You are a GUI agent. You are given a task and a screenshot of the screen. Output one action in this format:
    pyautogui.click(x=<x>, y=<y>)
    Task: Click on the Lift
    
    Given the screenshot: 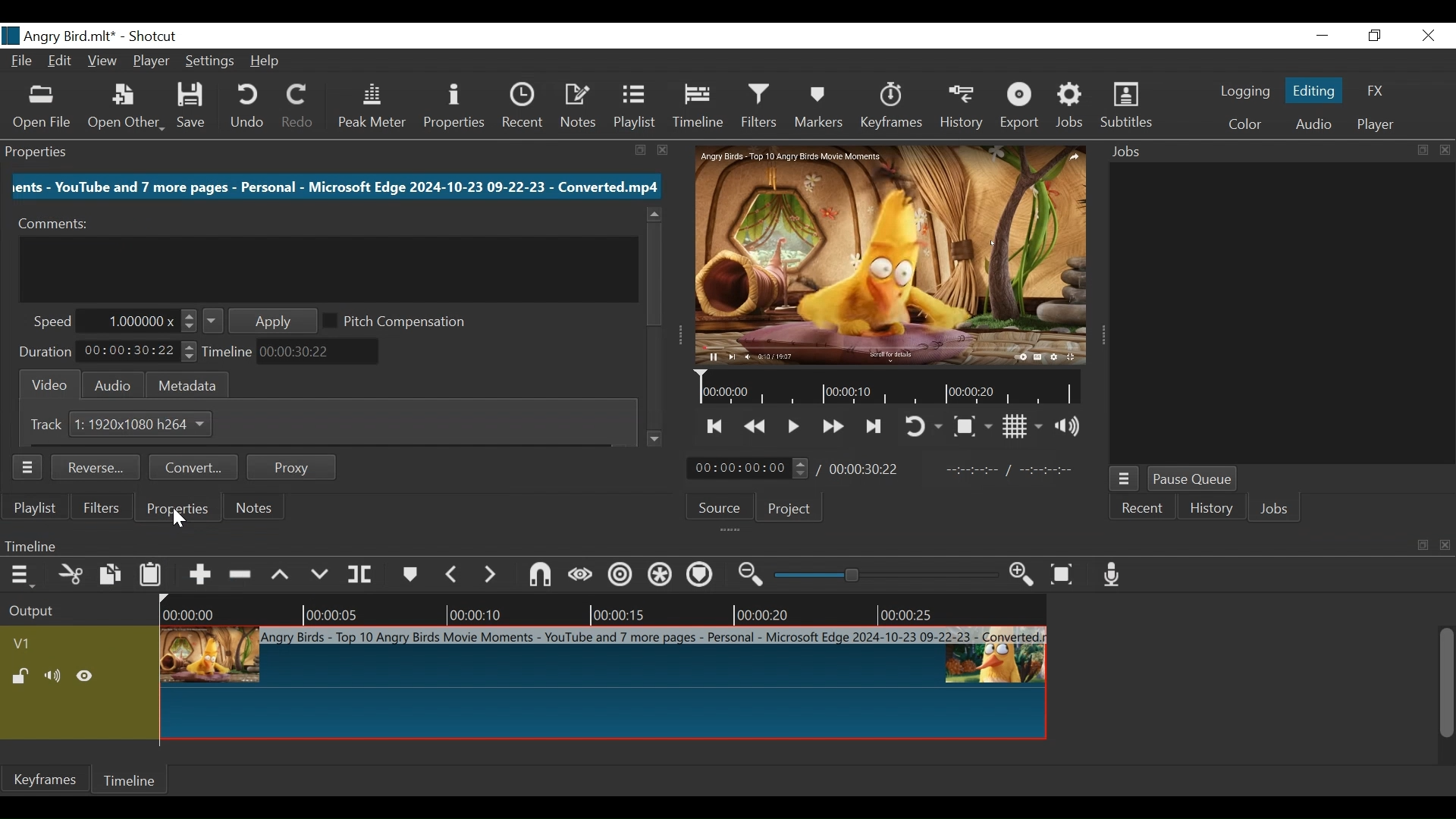 What is the action you would take?
    pyautogui.click(x=284, y=575)
    